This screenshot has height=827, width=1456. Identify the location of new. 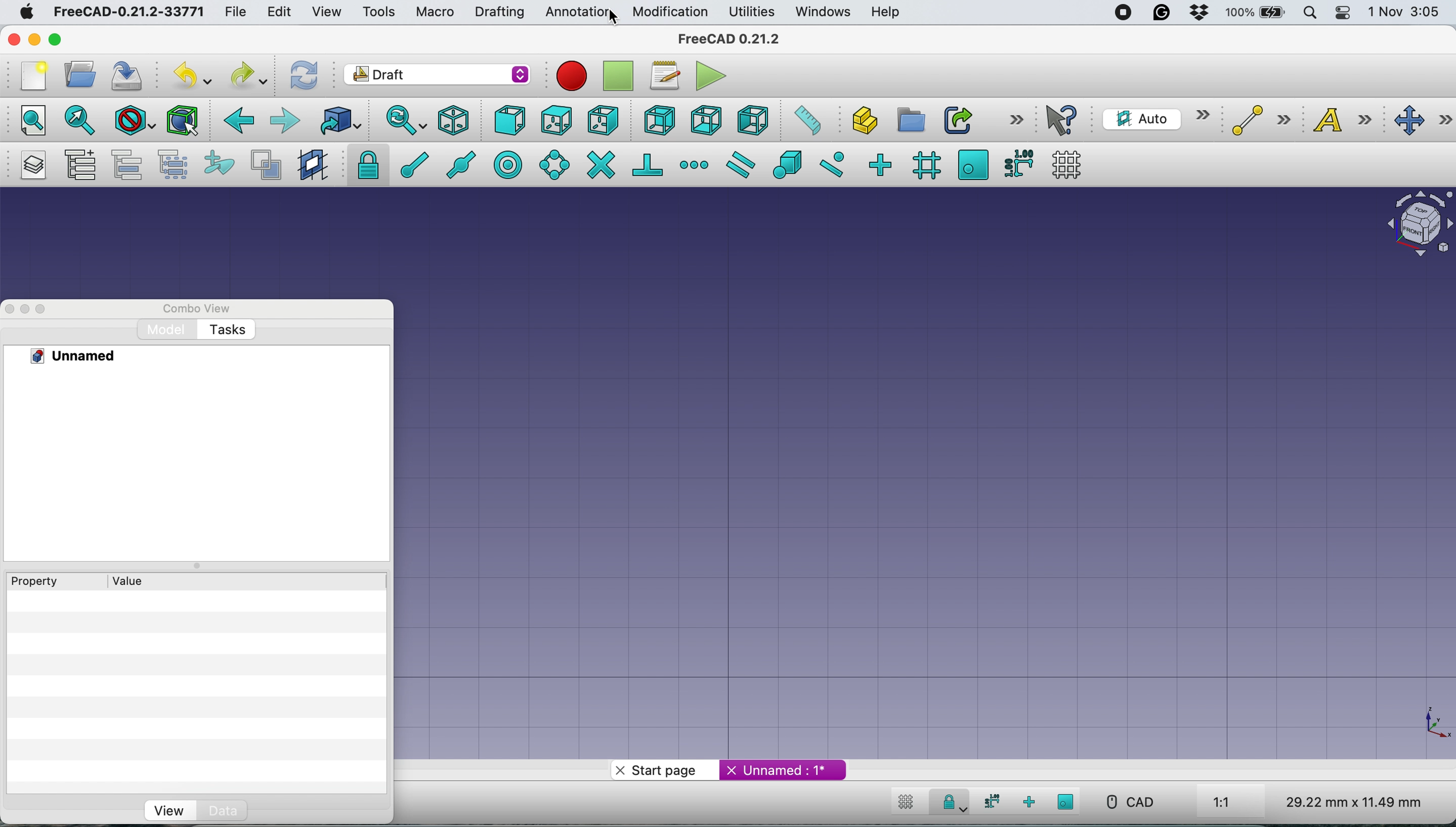
(31, 77).